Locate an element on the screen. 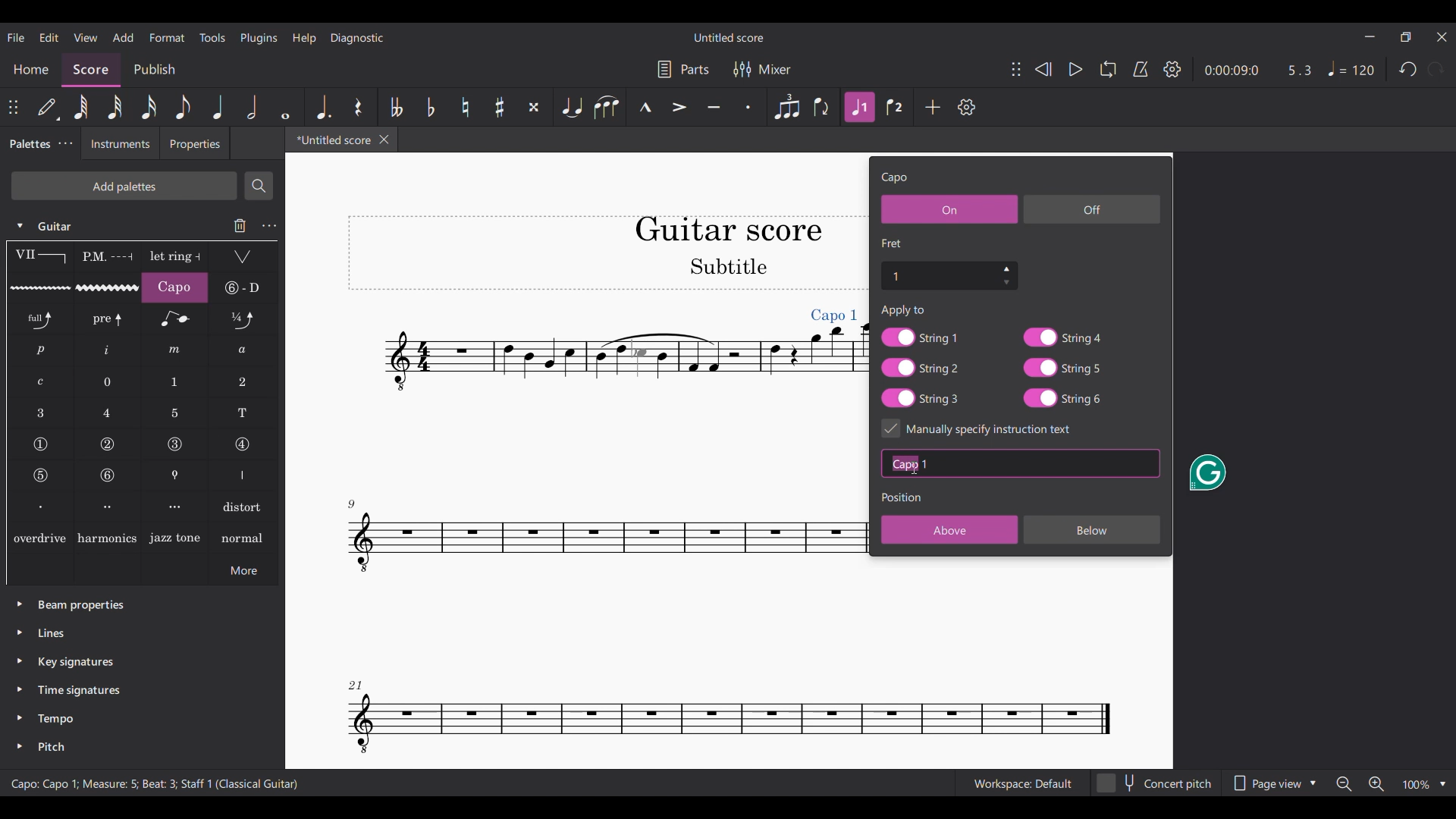  Grace note bend is located at coordinates (175, 319).